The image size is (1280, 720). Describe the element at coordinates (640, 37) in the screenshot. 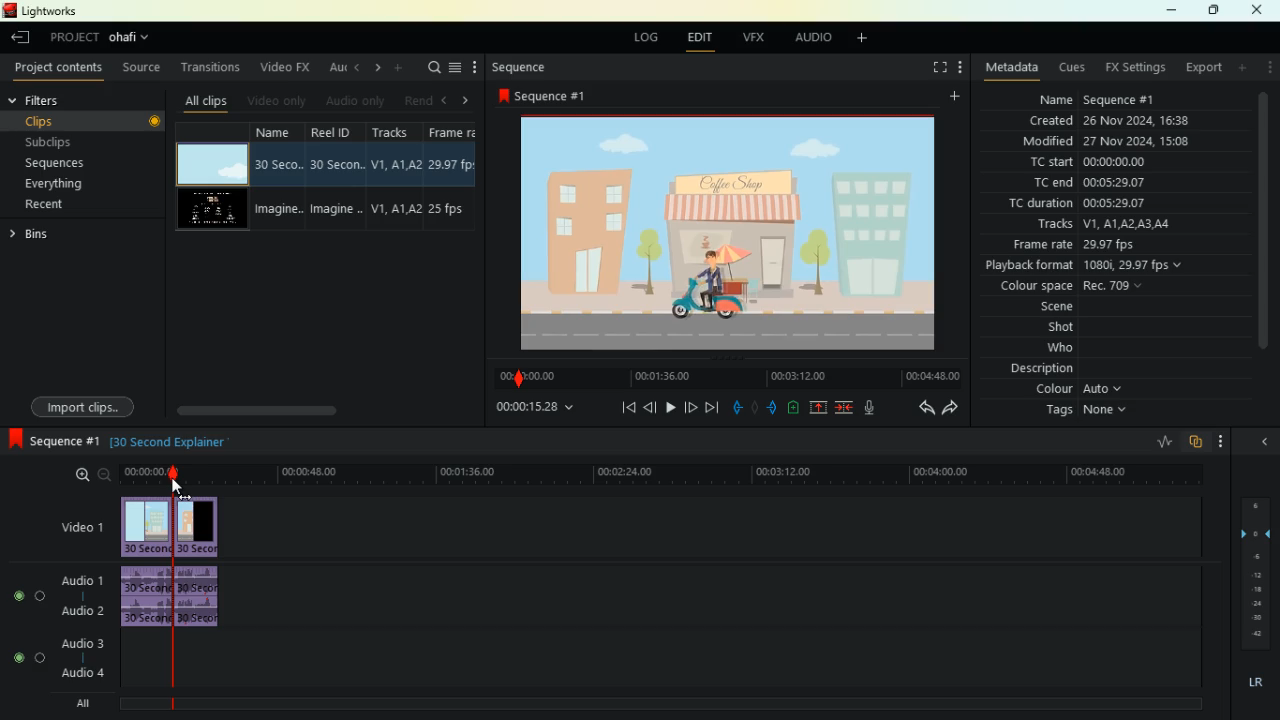

I see `log` at that location.